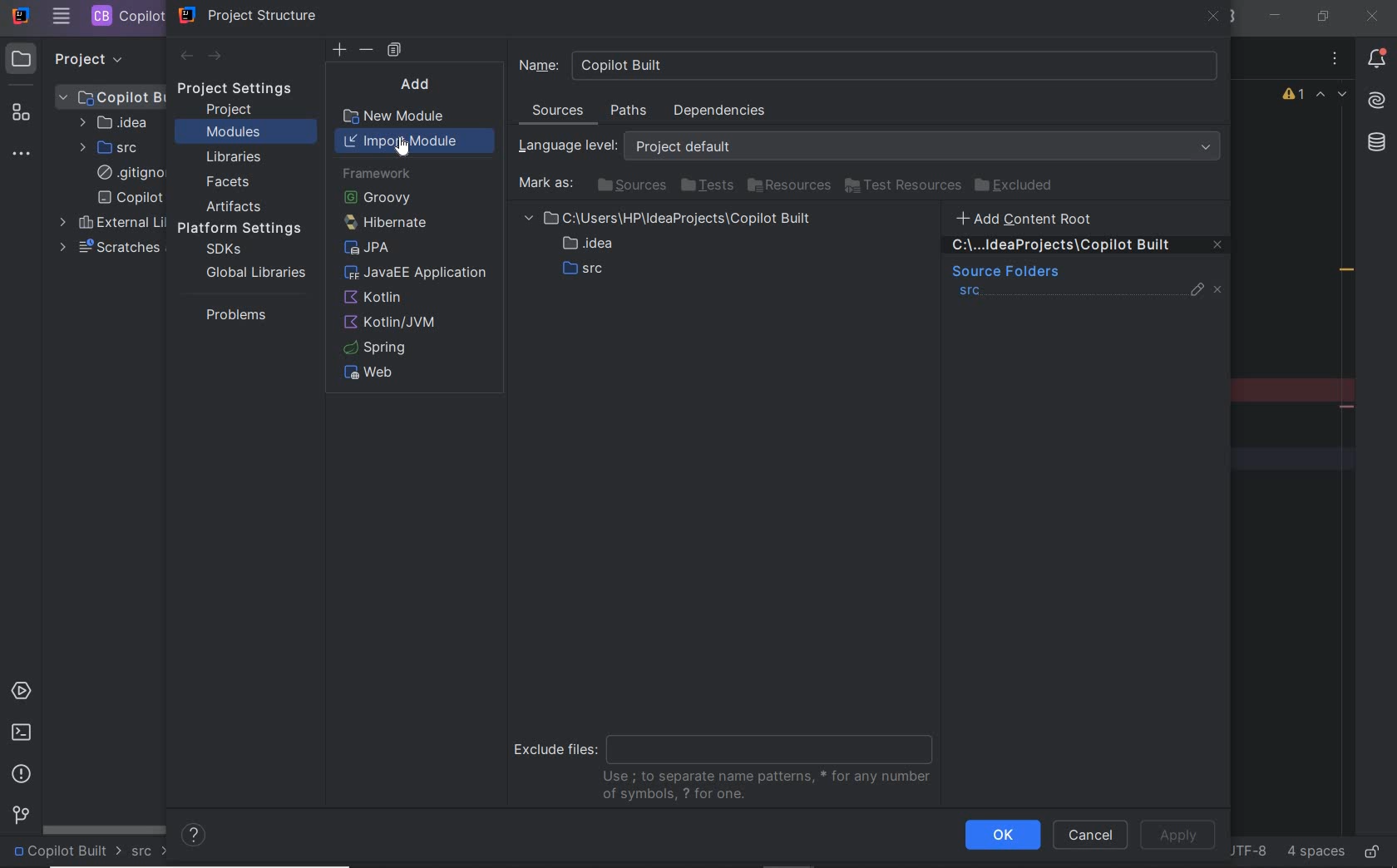 The height and width of the screenshot is (868, 1397). Describe the element at coordinates (718, 111) in the screenshot. I see `dependencies` at that location.